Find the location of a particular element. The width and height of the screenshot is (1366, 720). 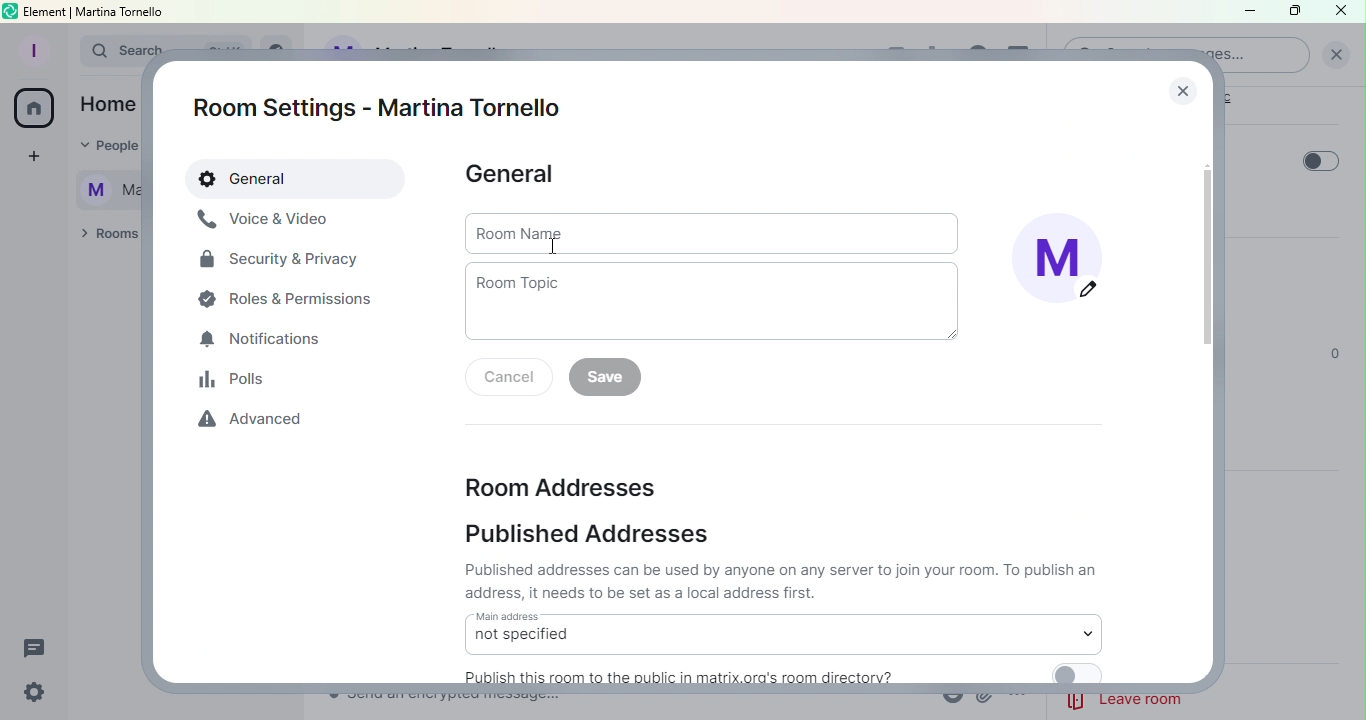

Room topic is located at coordinates (719, 302).